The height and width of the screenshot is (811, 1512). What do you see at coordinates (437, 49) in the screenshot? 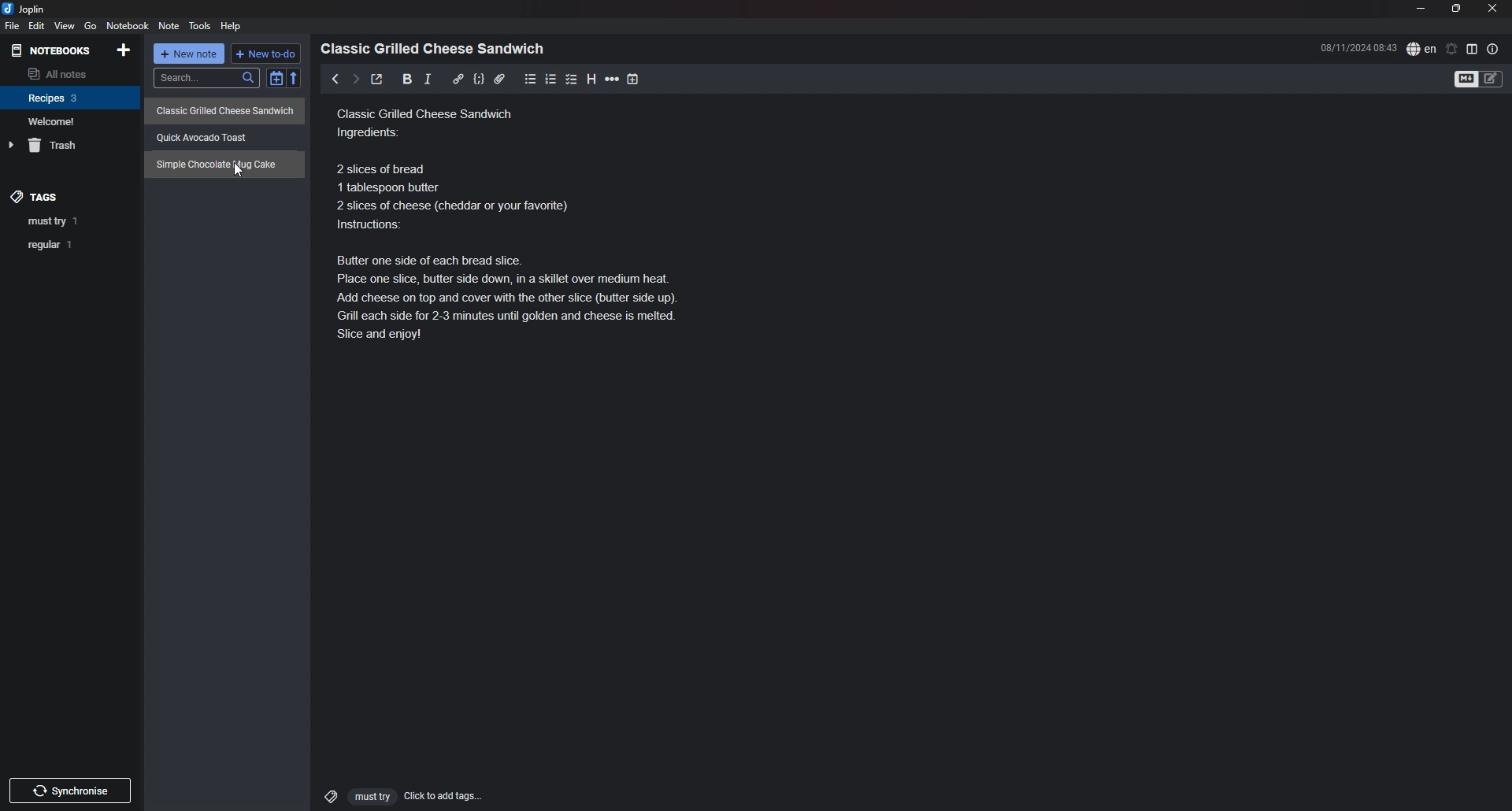
I see `heading` at bounding box center [437, 49].